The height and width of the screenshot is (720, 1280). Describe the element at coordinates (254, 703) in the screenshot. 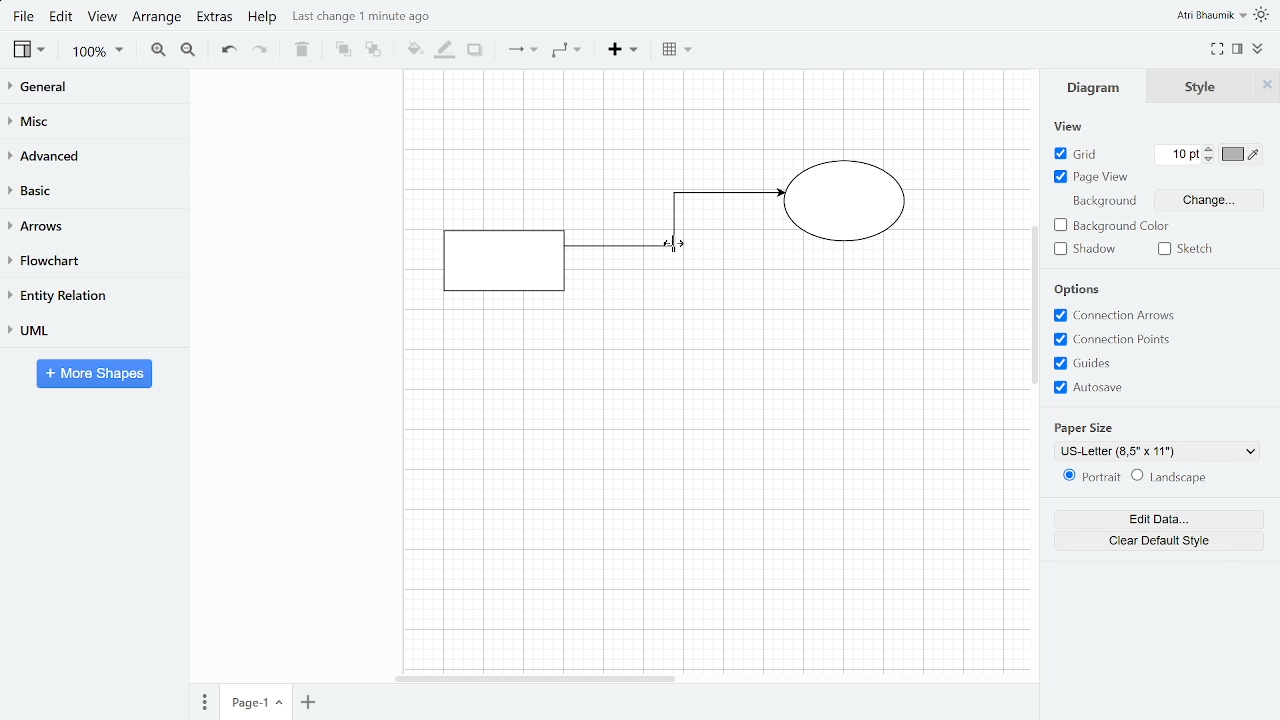

I see `Current page` at that location.